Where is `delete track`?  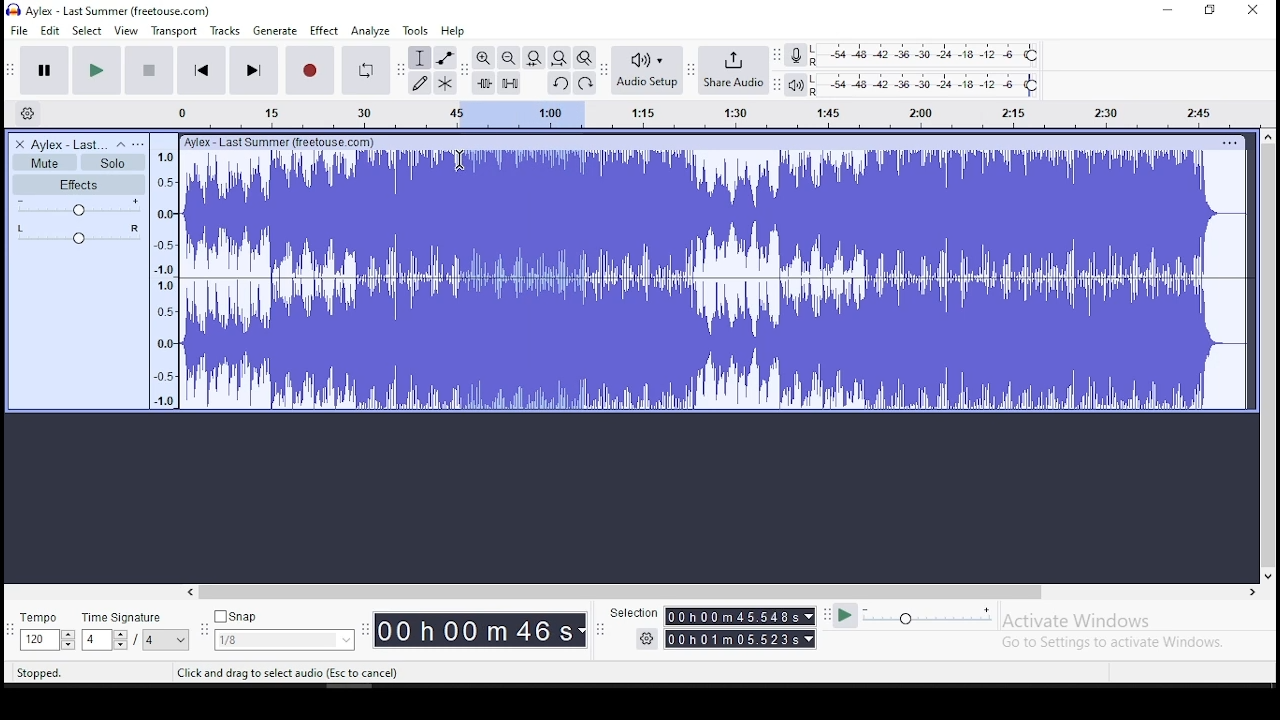 delete track is located at coordinates (19, 144).